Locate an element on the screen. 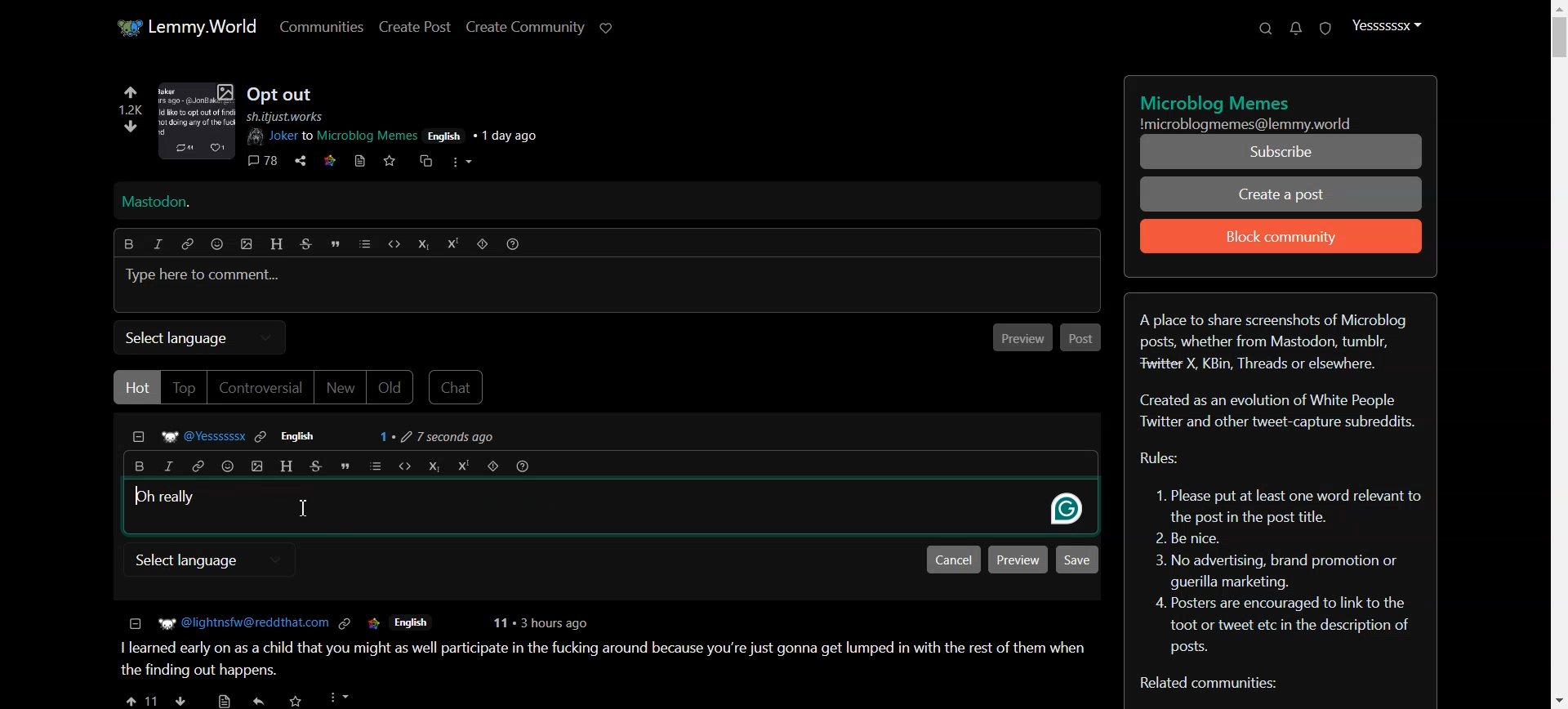 The width and height of the screenshot is (1568, 709). Typing window is located at coordinates (606, 286).